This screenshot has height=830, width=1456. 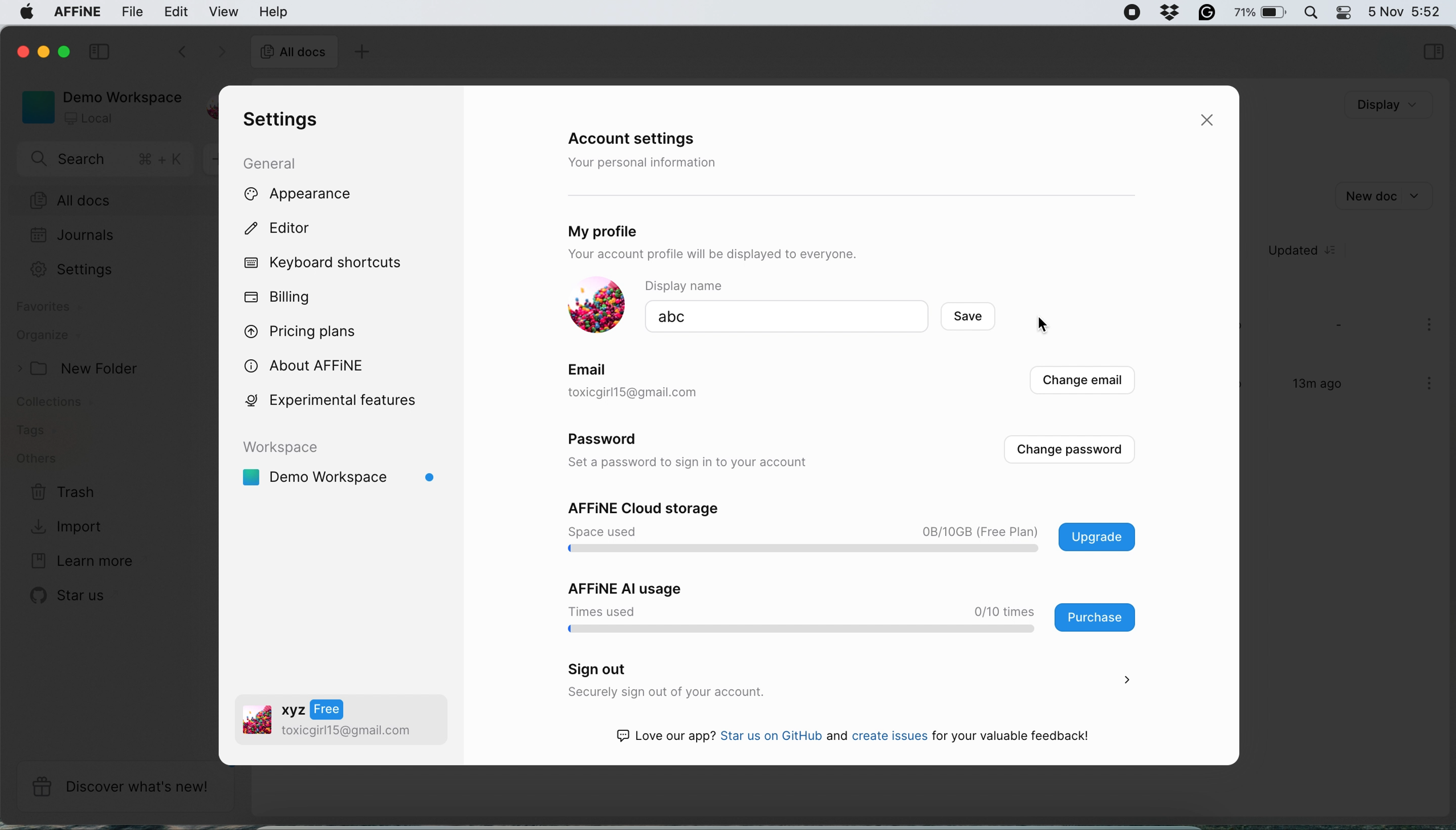 What do you see at coordinates (856, 529) in the screenshot?
I see `affine cloud storage` at bounding box center [856, 529].